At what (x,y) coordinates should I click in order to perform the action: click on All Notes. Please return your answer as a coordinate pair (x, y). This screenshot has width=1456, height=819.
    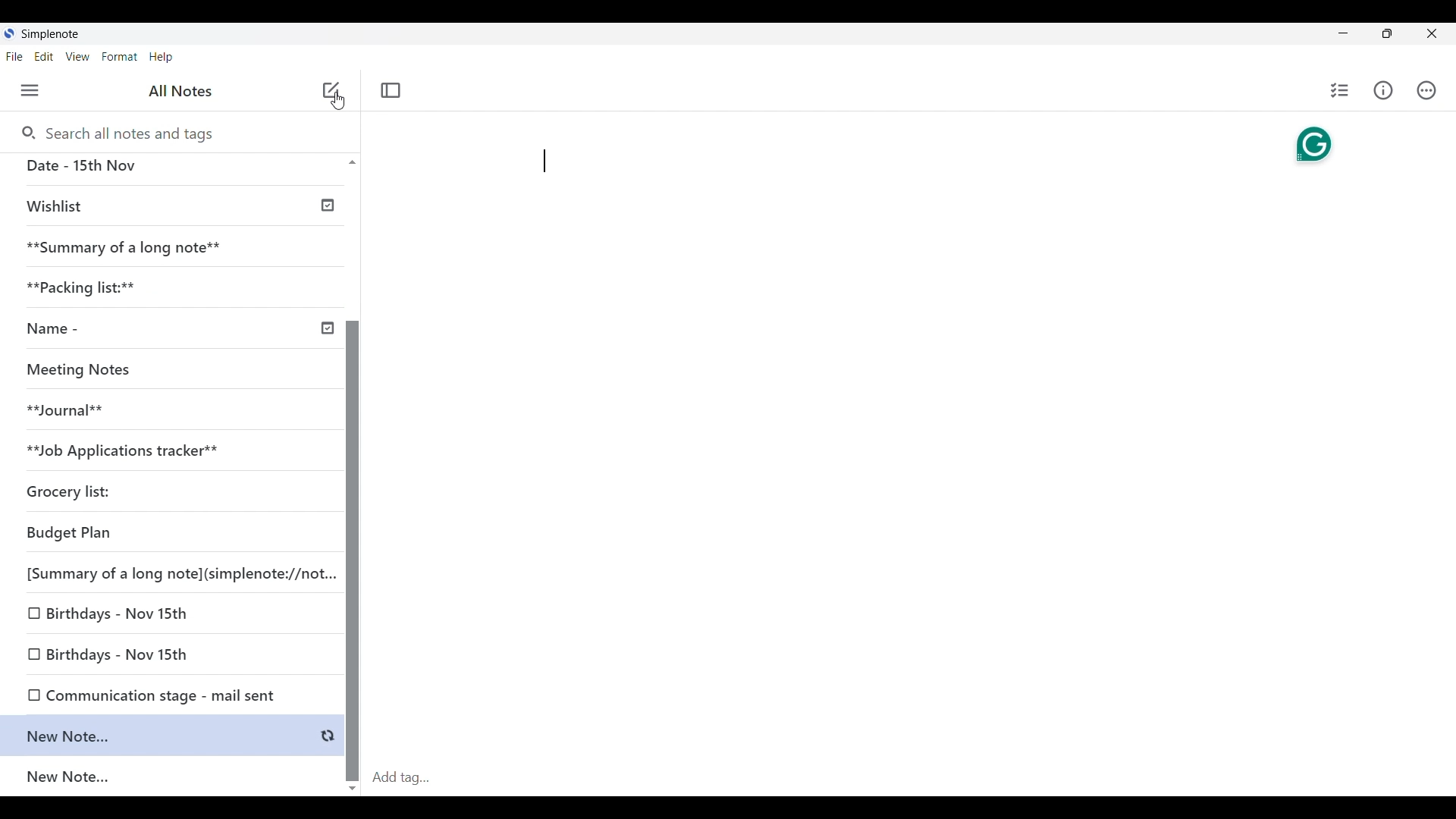
    Looking at the image, I should click on (178, 91).